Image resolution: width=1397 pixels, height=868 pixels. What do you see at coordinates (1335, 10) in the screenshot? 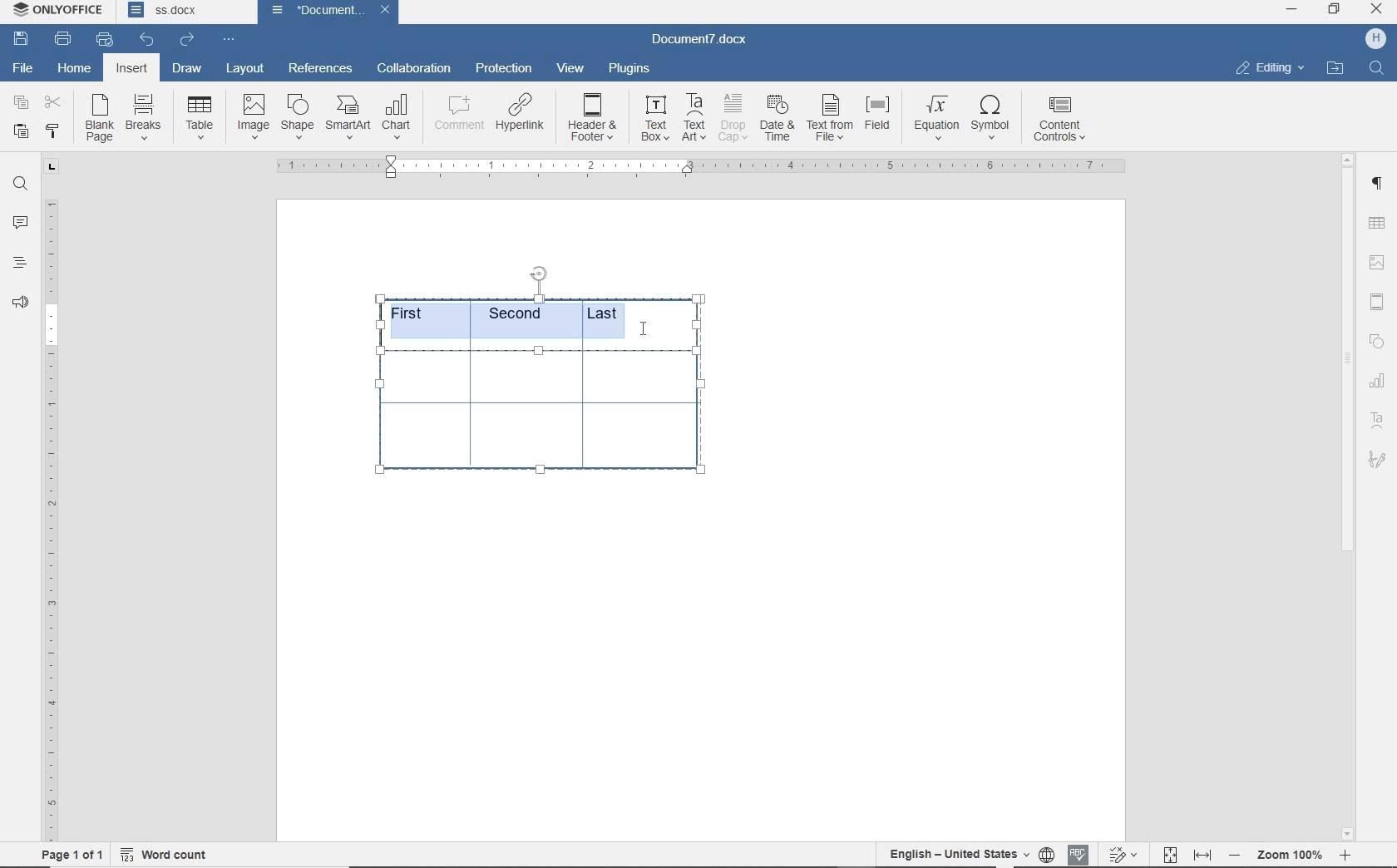
I see `RESTORE DOWN` at bounding box center [1335, 10].